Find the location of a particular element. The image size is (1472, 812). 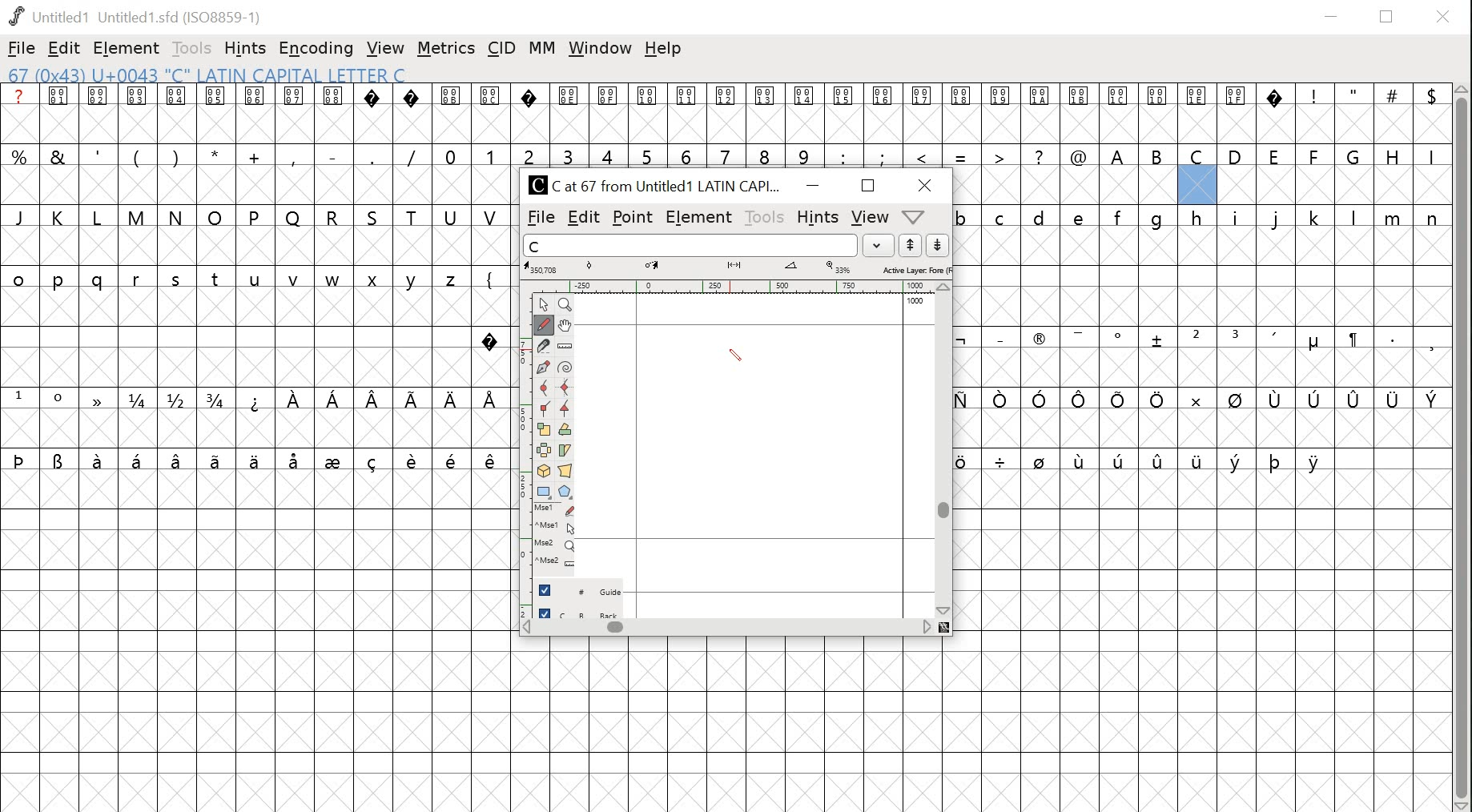

edit is located at coordinates (63, 48).